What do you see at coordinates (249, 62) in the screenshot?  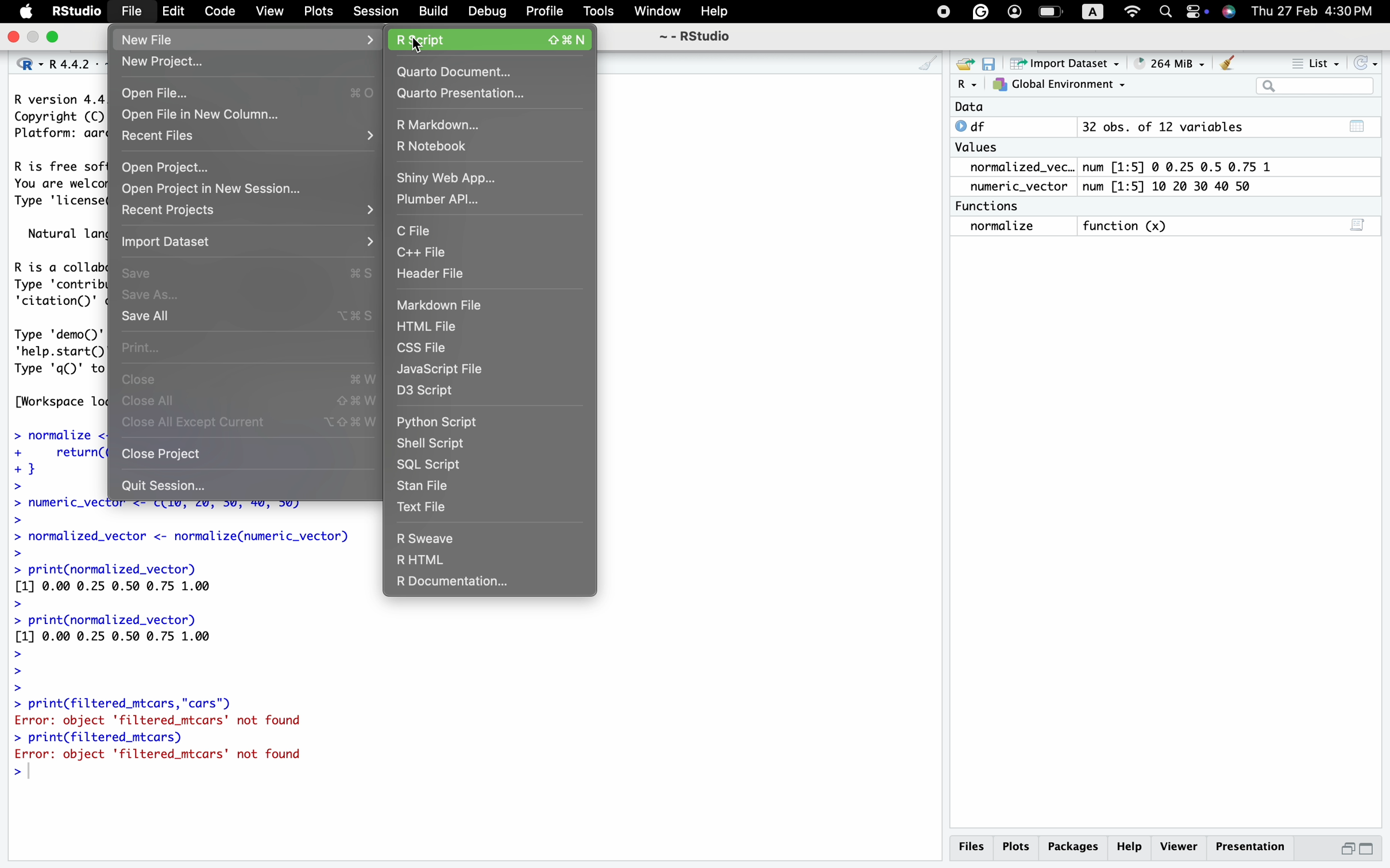 I see `new project` at bounding box center [249, 62].